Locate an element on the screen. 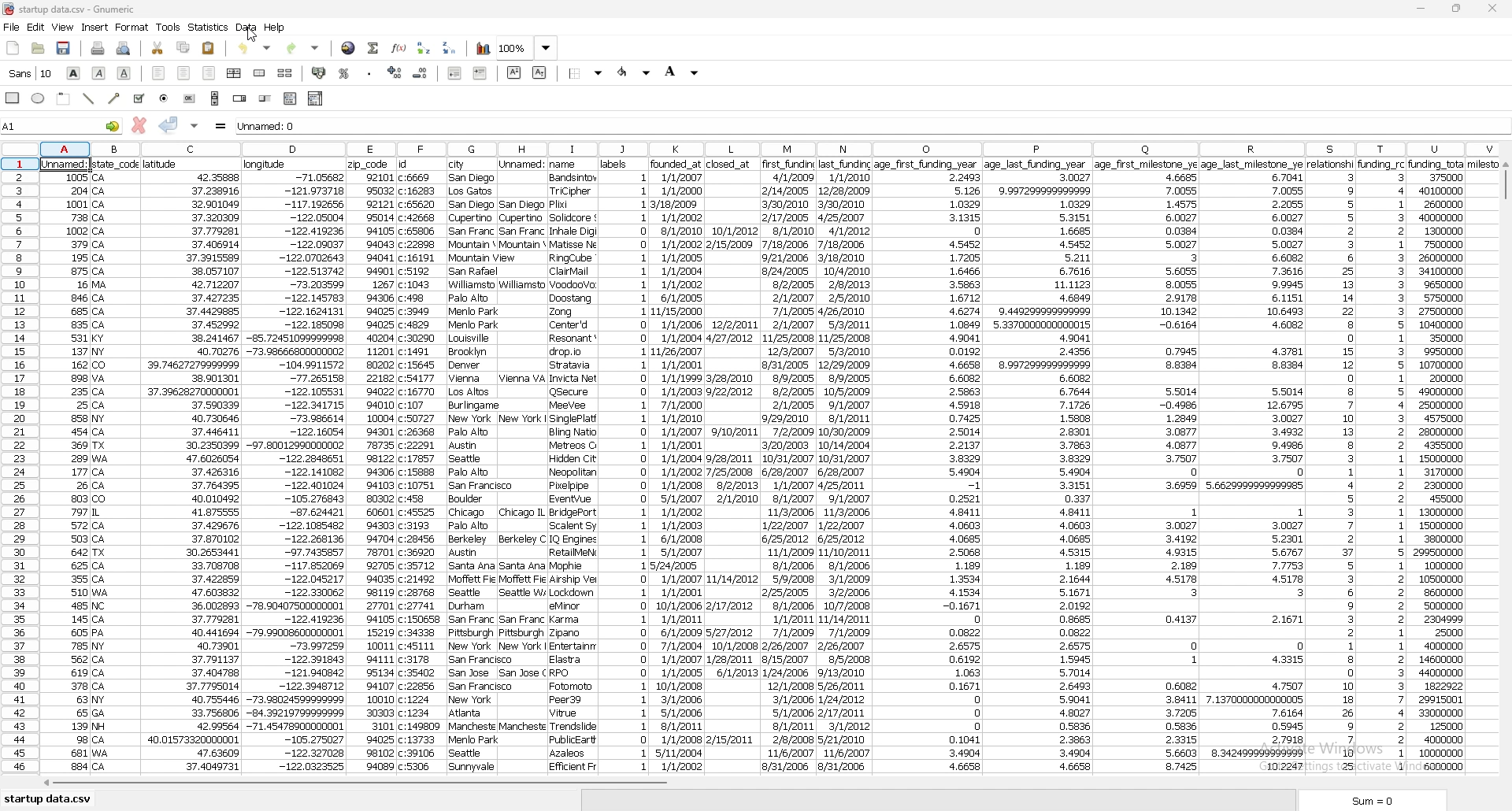 The image size is (1512, 811). line is located at coordinates (91, 98).